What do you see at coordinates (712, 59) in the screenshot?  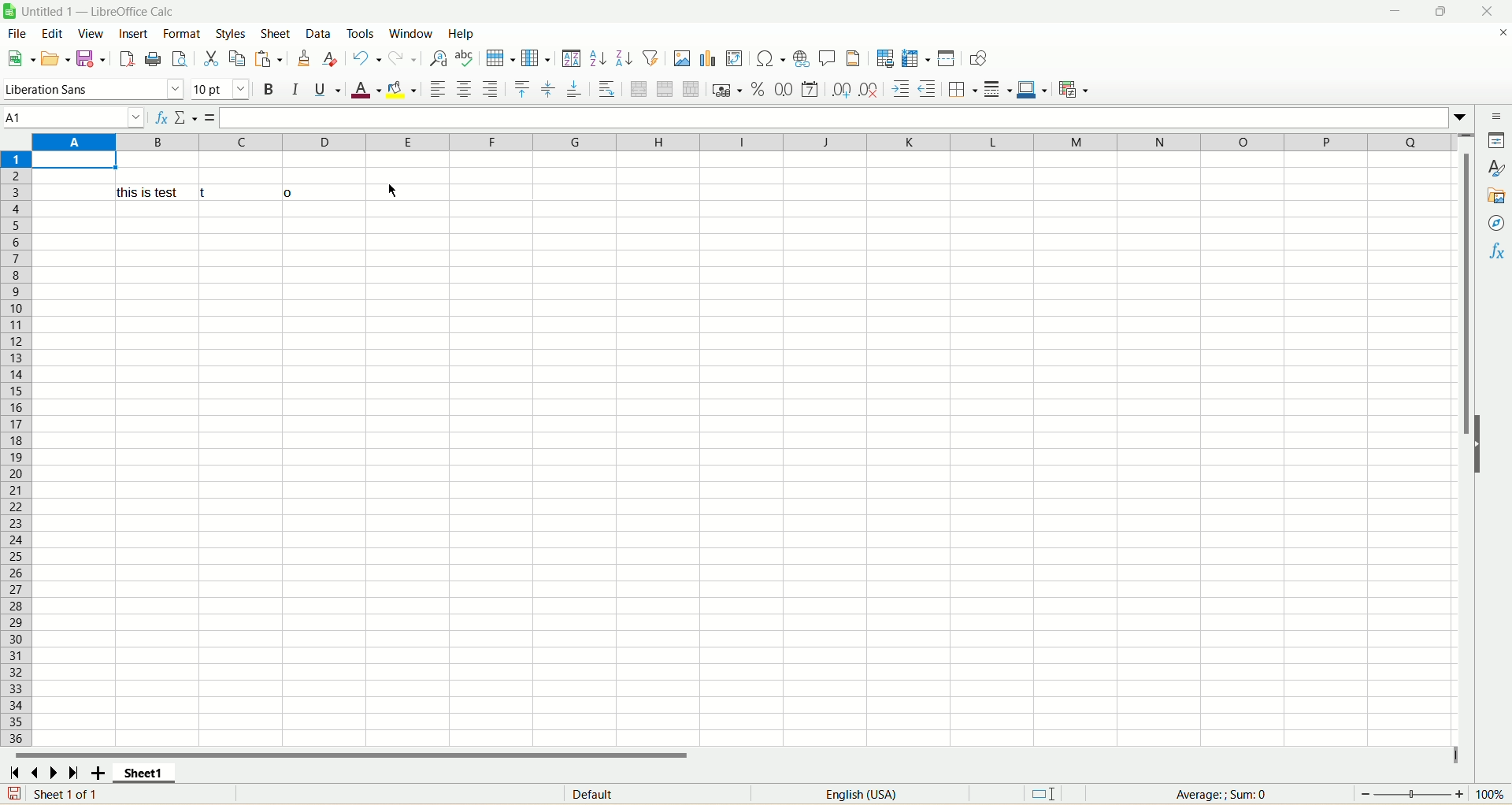 I see `insert chart` at bounding box center [712, 59].